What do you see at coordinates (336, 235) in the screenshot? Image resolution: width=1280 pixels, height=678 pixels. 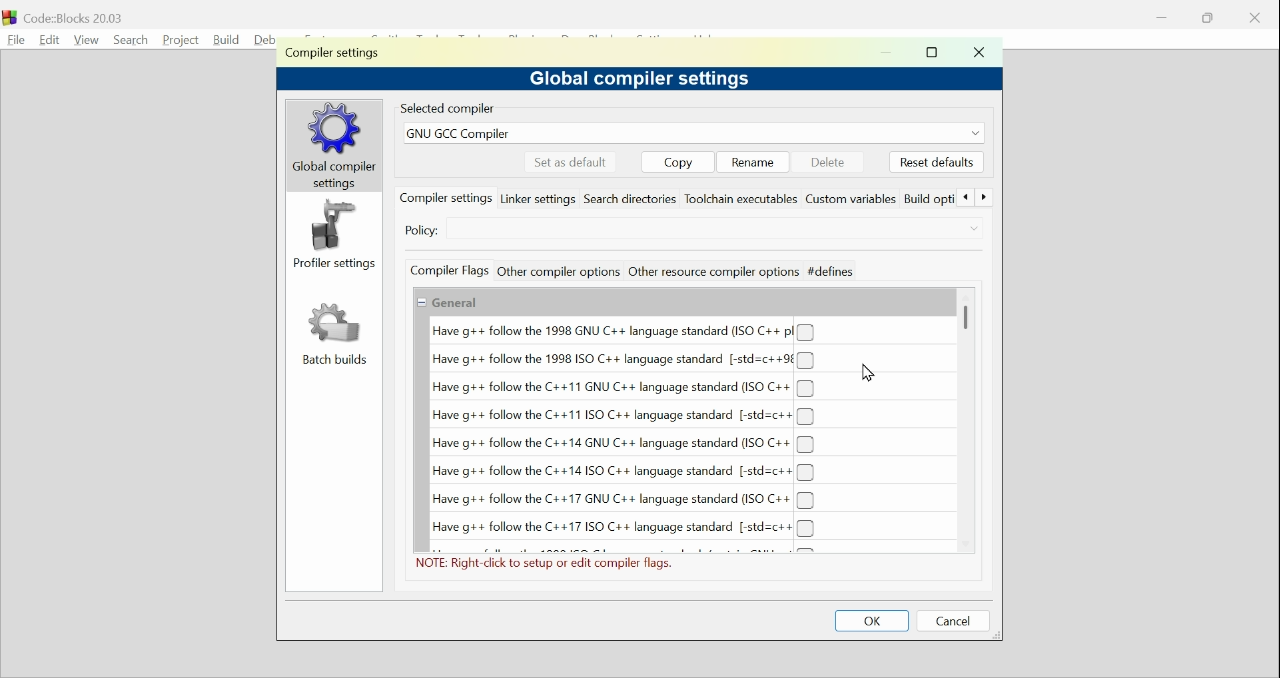 I see `Profiler setting` at bounding box center [336, 235].